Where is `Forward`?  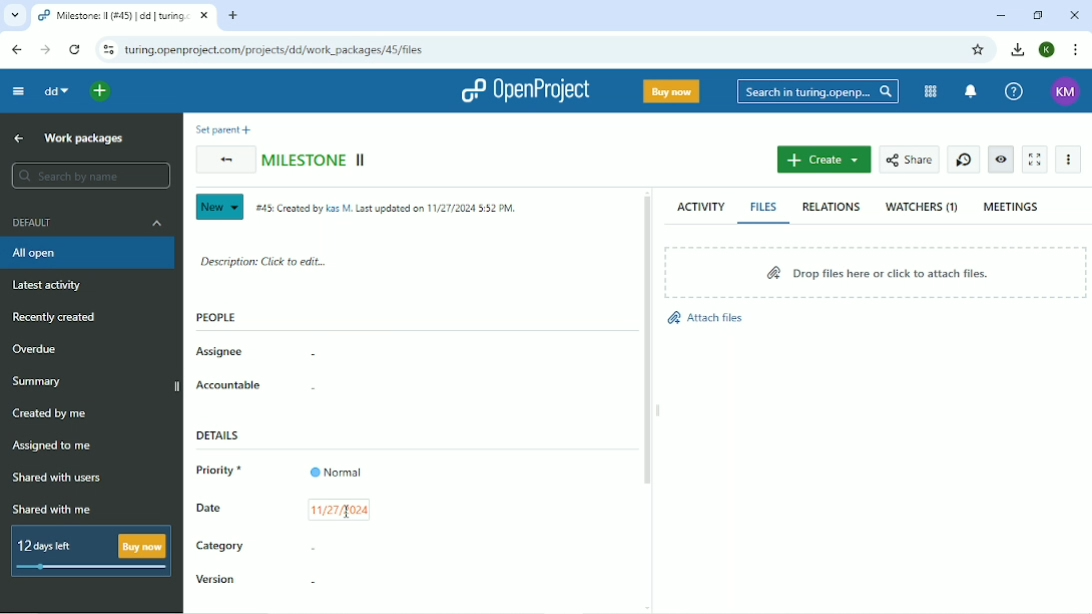
Forward is located at coordinates (47, 51).